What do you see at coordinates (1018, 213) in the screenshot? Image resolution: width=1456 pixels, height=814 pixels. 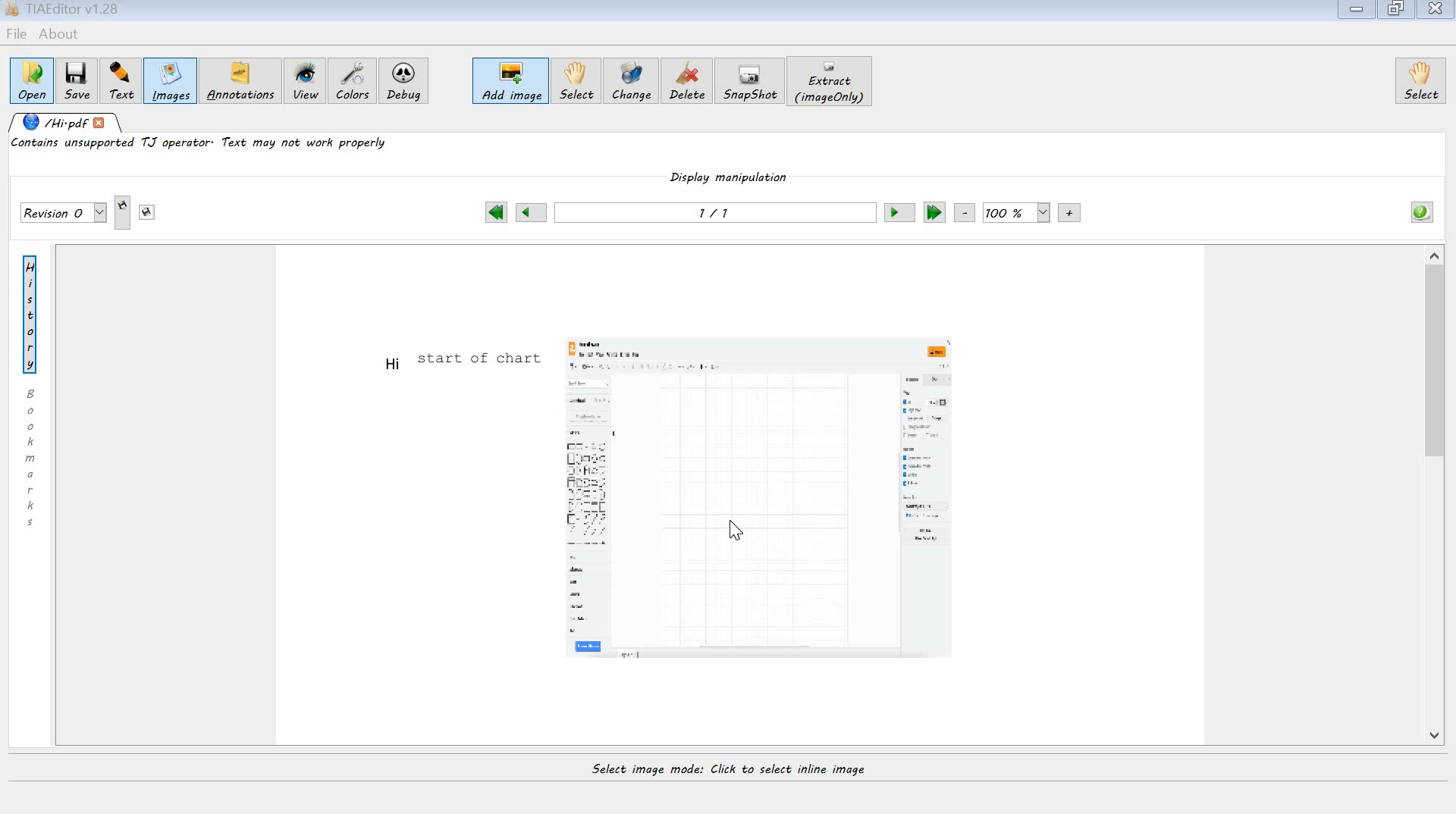 I see `zoom out or zoom in` at bounding box center [1018, 213].